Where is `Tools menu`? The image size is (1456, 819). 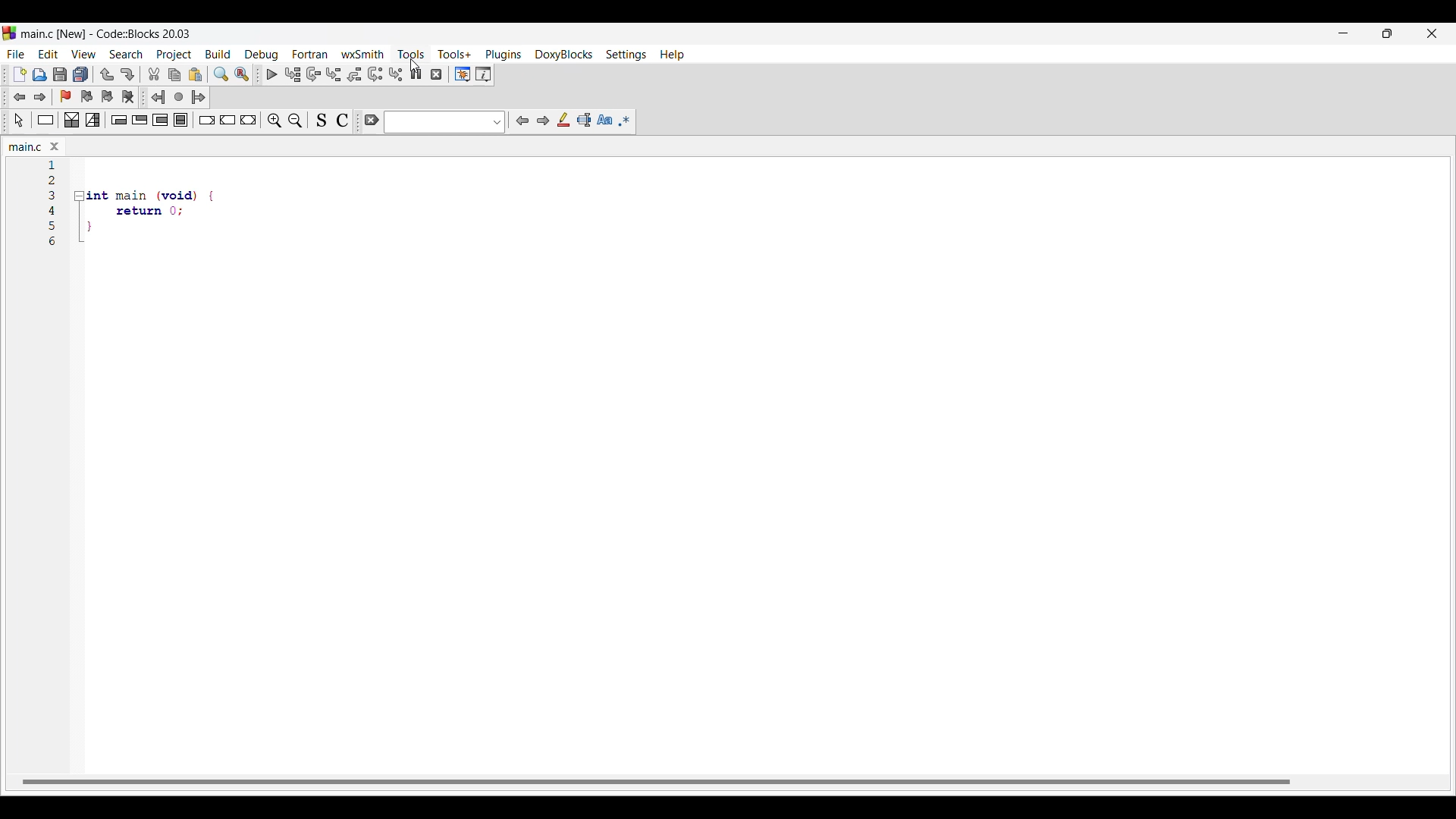
Tools menu is located at coordinates (411, 55).